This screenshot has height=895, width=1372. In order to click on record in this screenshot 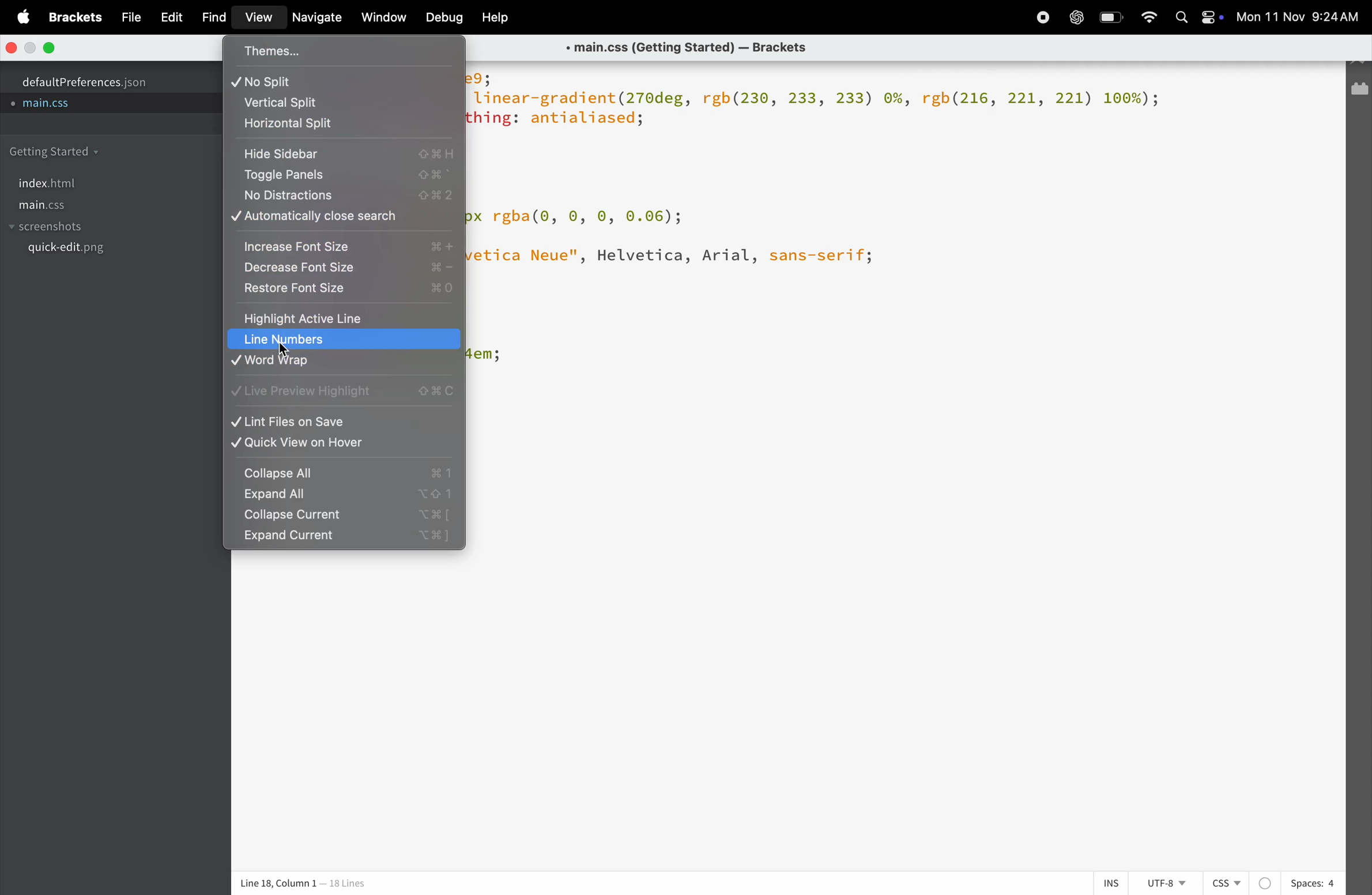, I will do `click(1039, 17)`.